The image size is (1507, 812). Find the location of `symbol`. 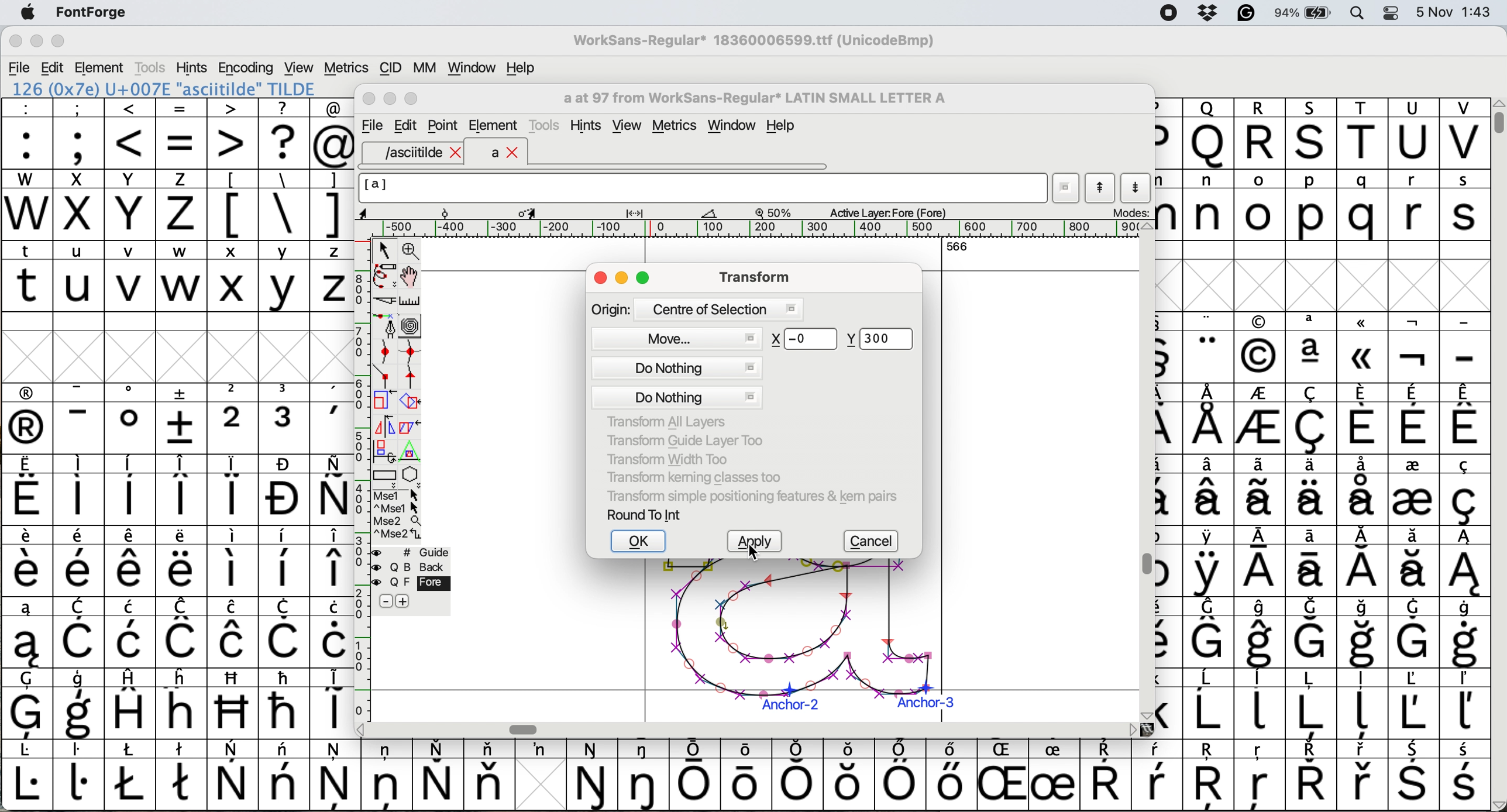

symbol is located at coordinates (1211, 490).